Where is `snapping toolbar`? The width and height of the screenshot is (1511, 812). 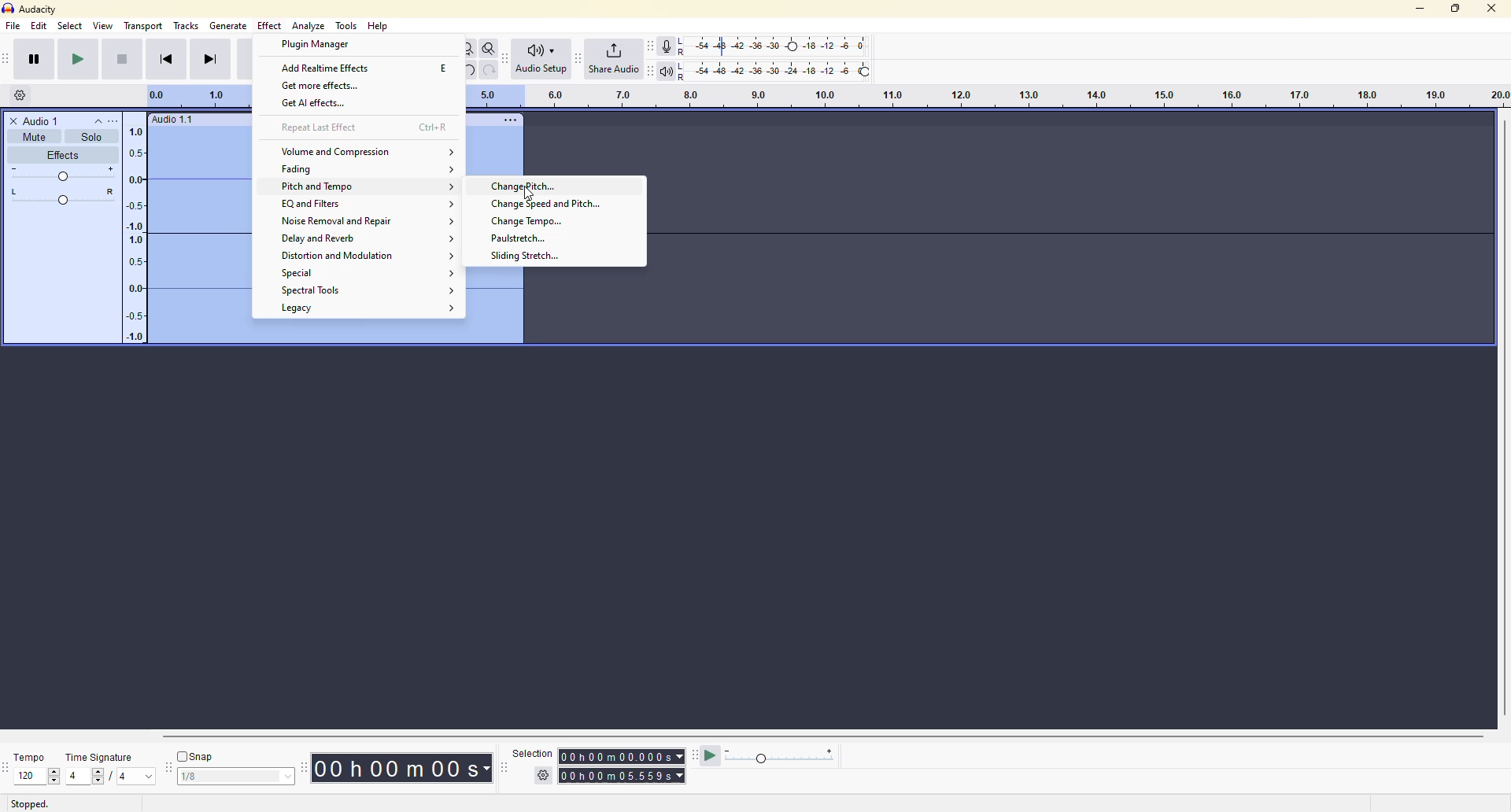
snapping toolbar is located at coordinates (168, 767).